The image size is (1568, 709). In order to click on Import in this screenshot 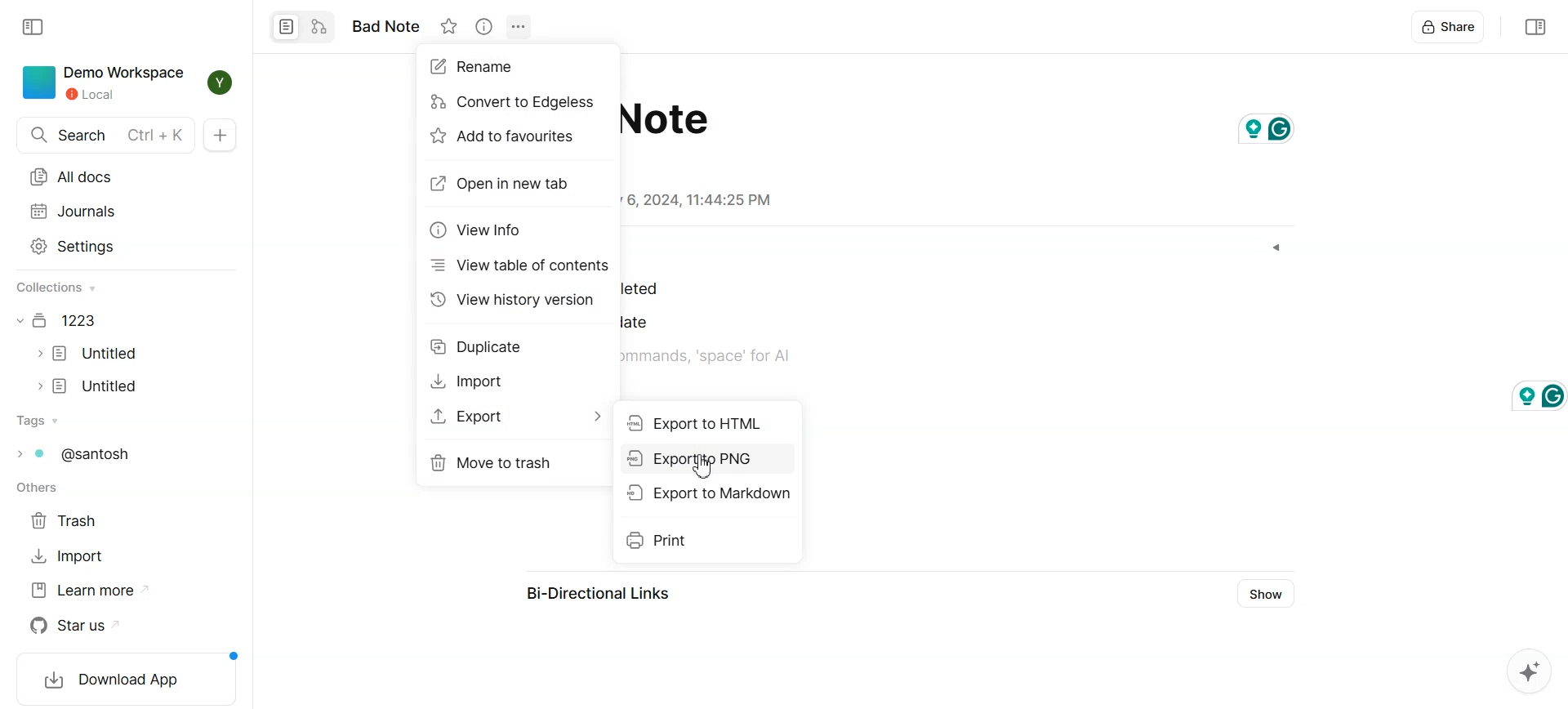, I will do `click(67, 556)`.